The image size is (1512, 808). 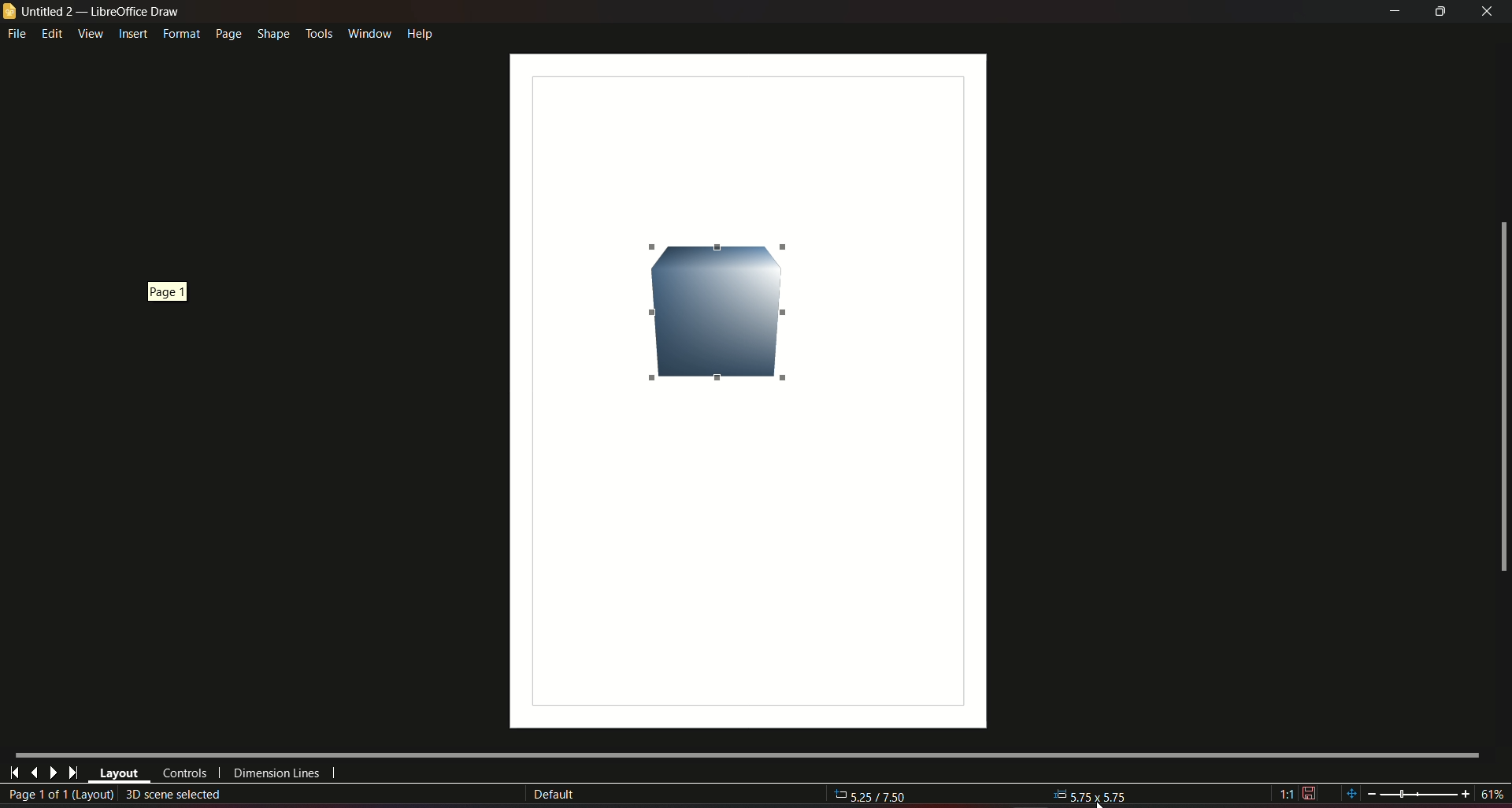 What do you see at coordinates (34, 772) in the screenshot?
I see `last page` at bounding box center [34, 772].